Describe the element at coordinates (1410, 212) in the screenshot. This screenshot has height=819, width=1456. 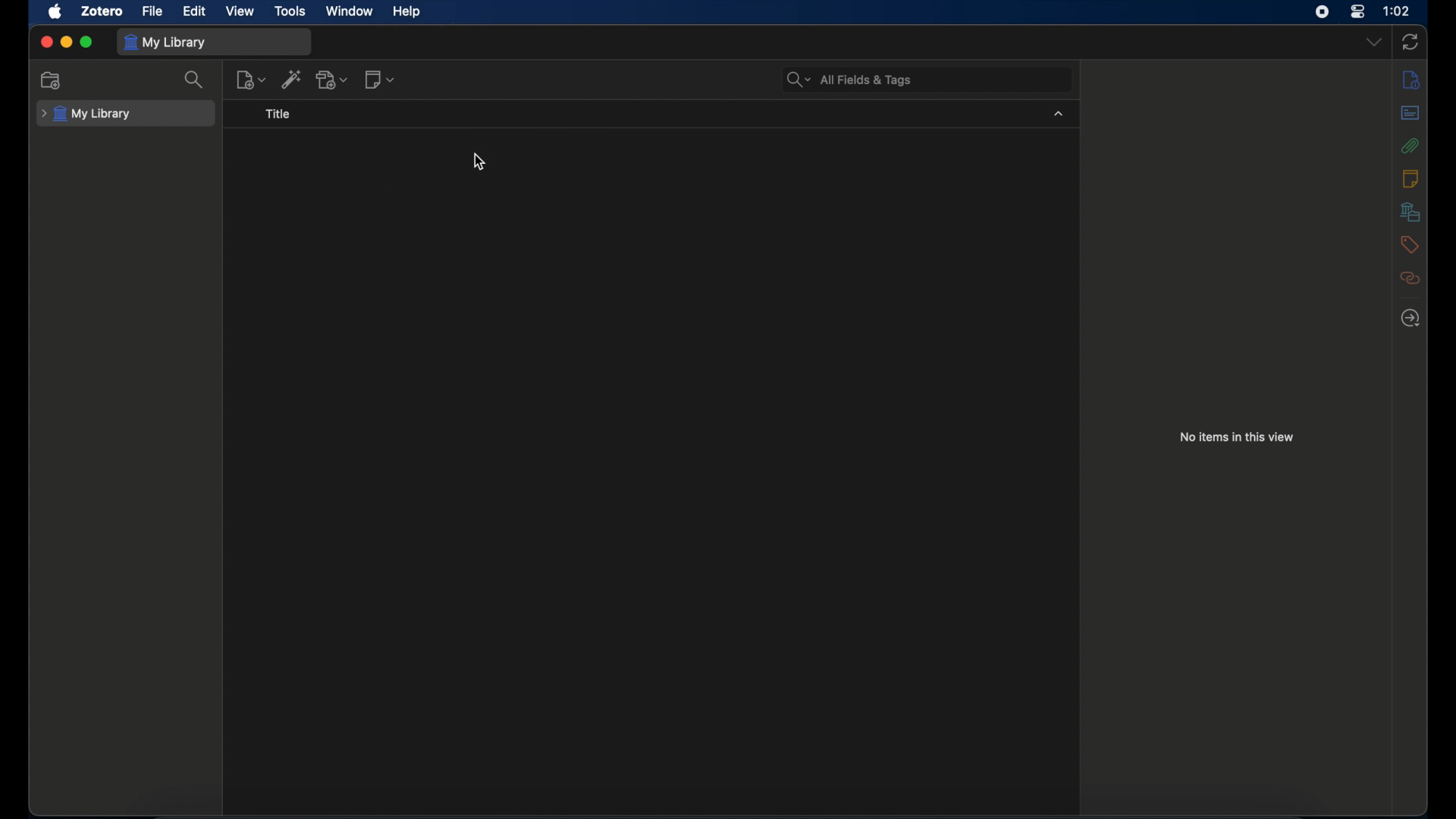
I see `libraries` at that location.